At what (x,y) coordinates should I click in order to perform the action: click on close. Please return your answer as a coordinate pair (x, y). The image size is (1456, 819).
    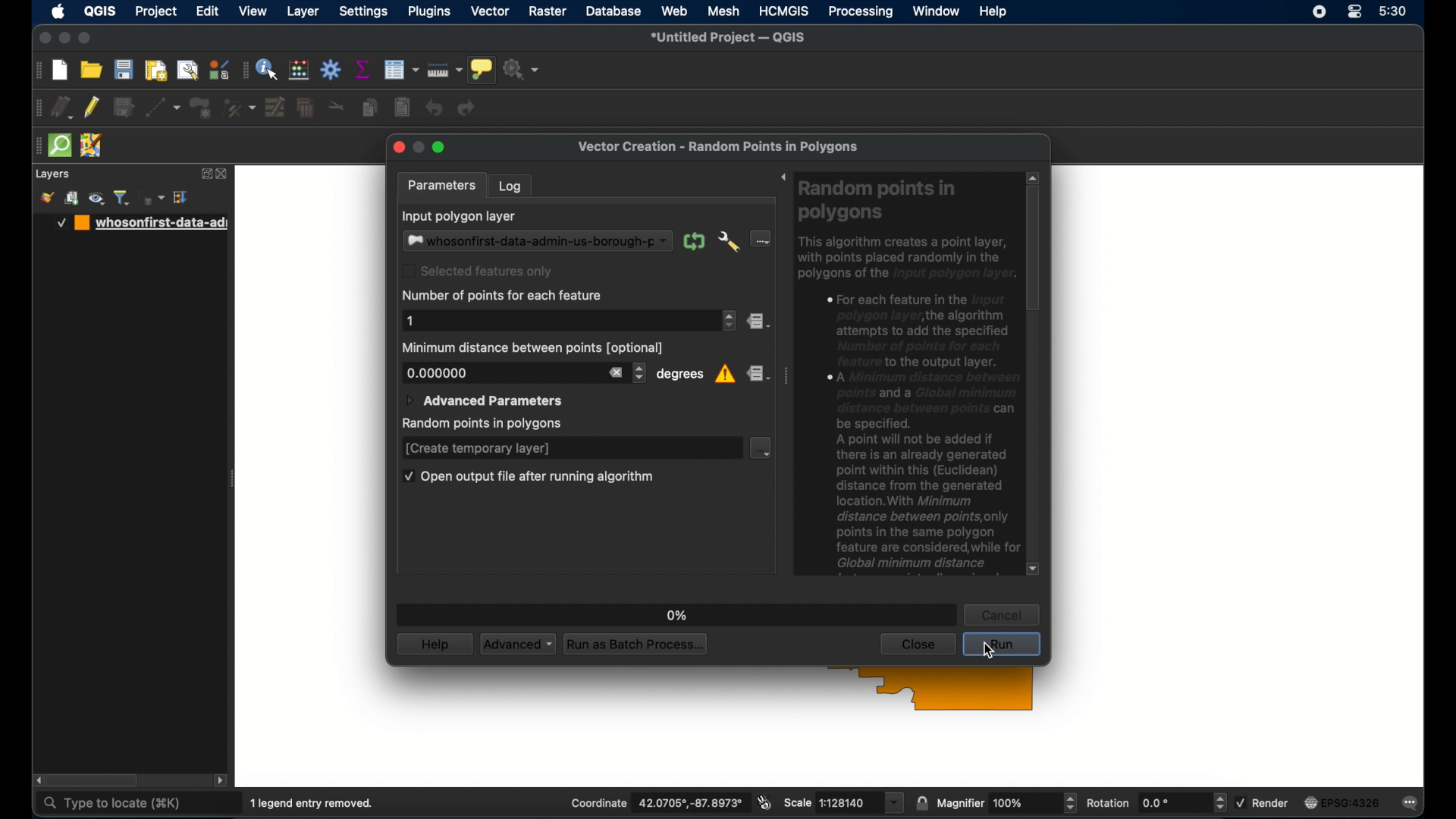
    Looking at the image, I should click on (224, 174).